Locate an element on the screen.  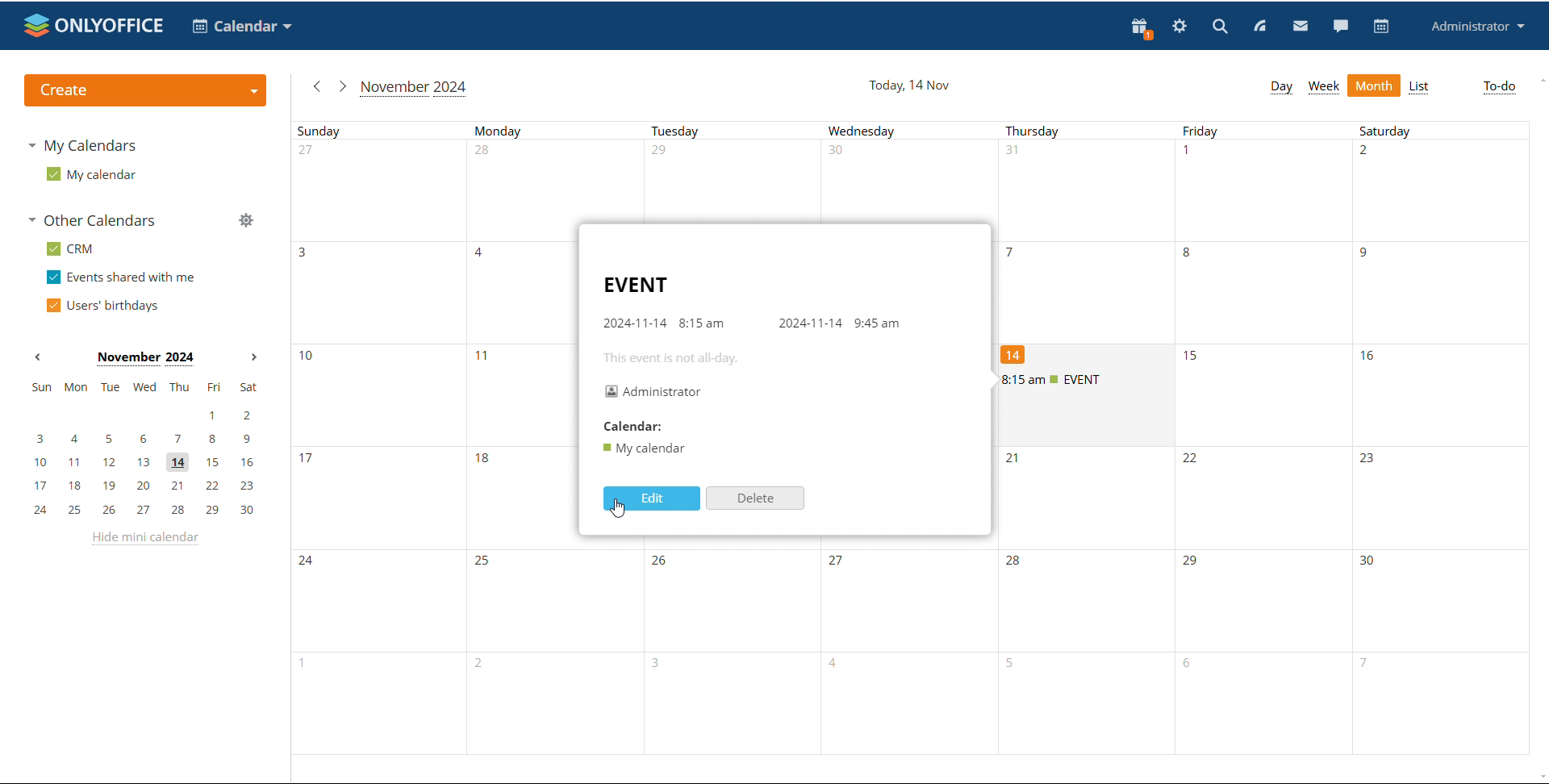
hide mini calendar is located at coordinates (148, 541).